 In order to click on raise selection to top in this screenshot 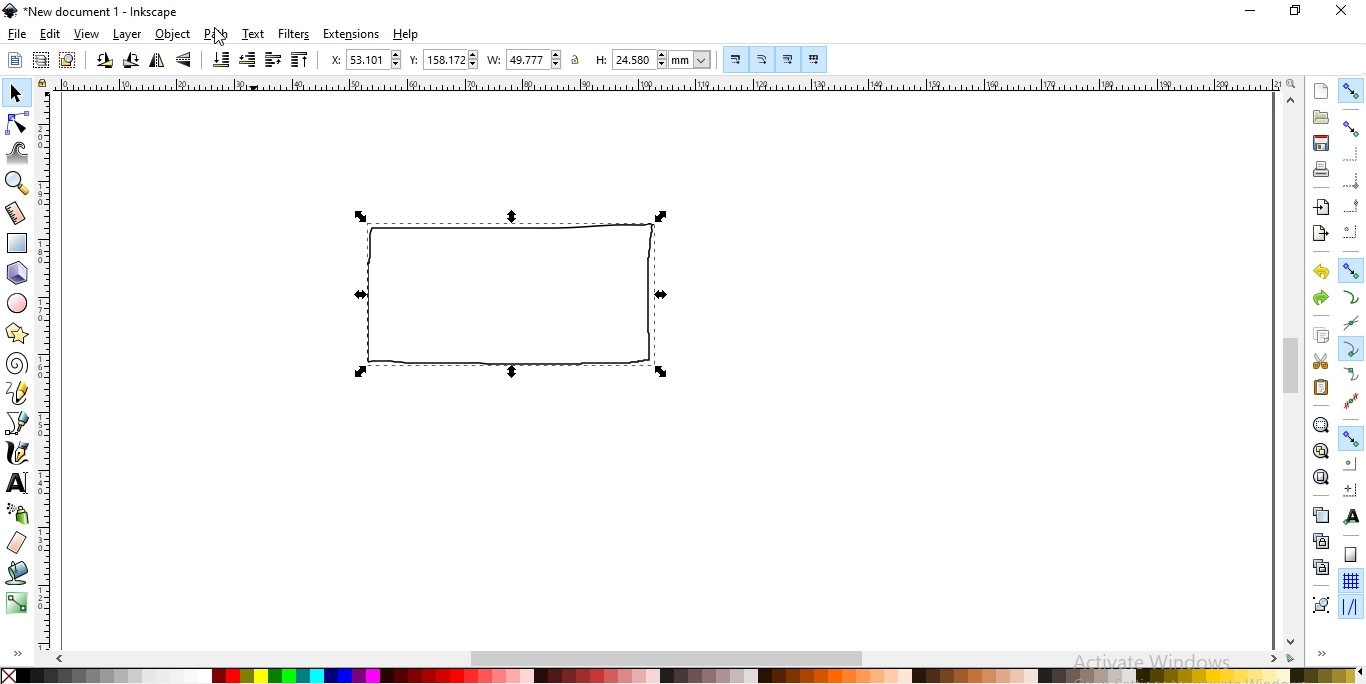, I will do `click(301, 59)`.